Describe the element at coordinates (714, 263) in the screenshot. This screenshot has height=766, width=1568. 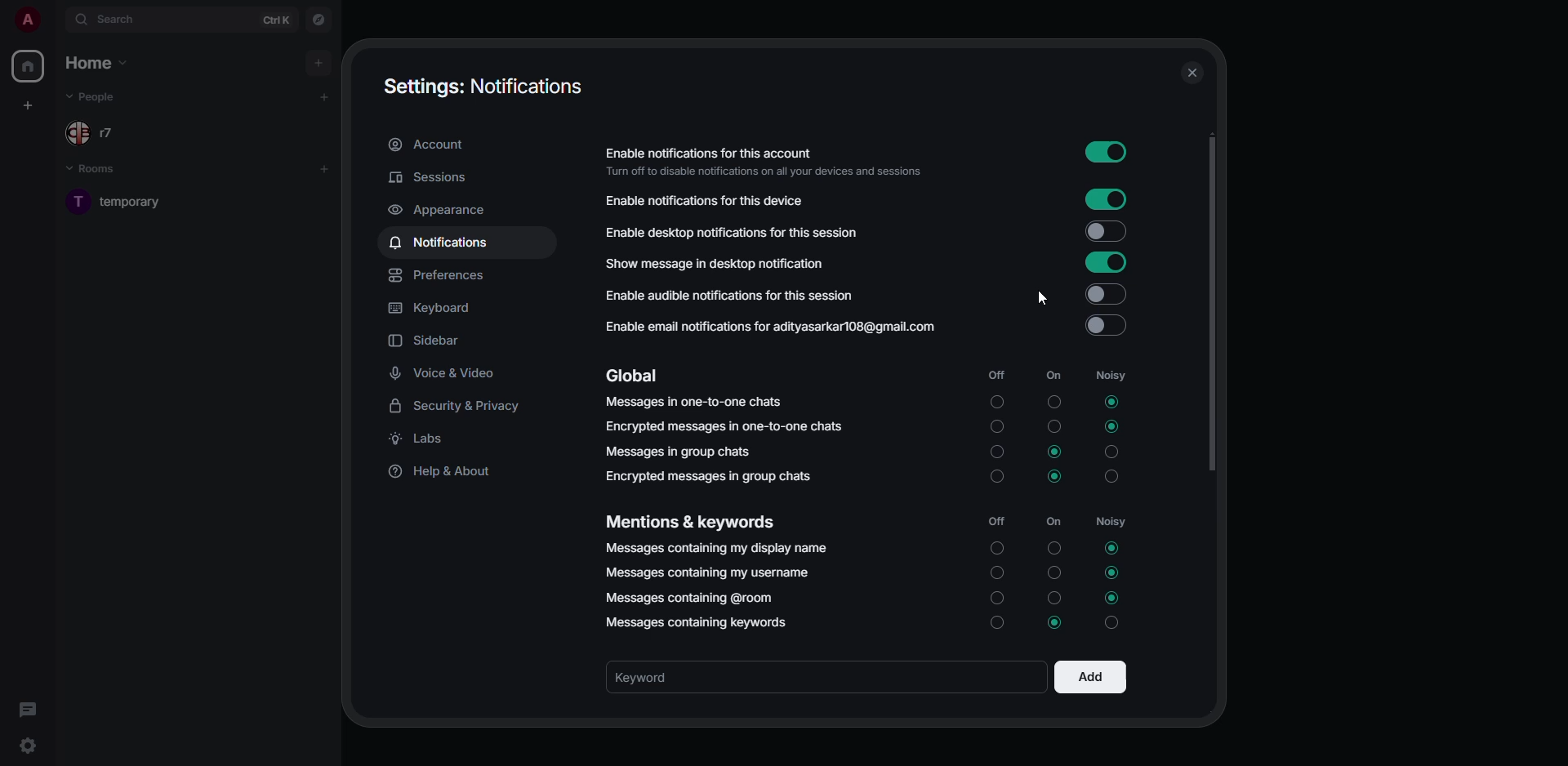
I see `show message in desktop notification` at that location.